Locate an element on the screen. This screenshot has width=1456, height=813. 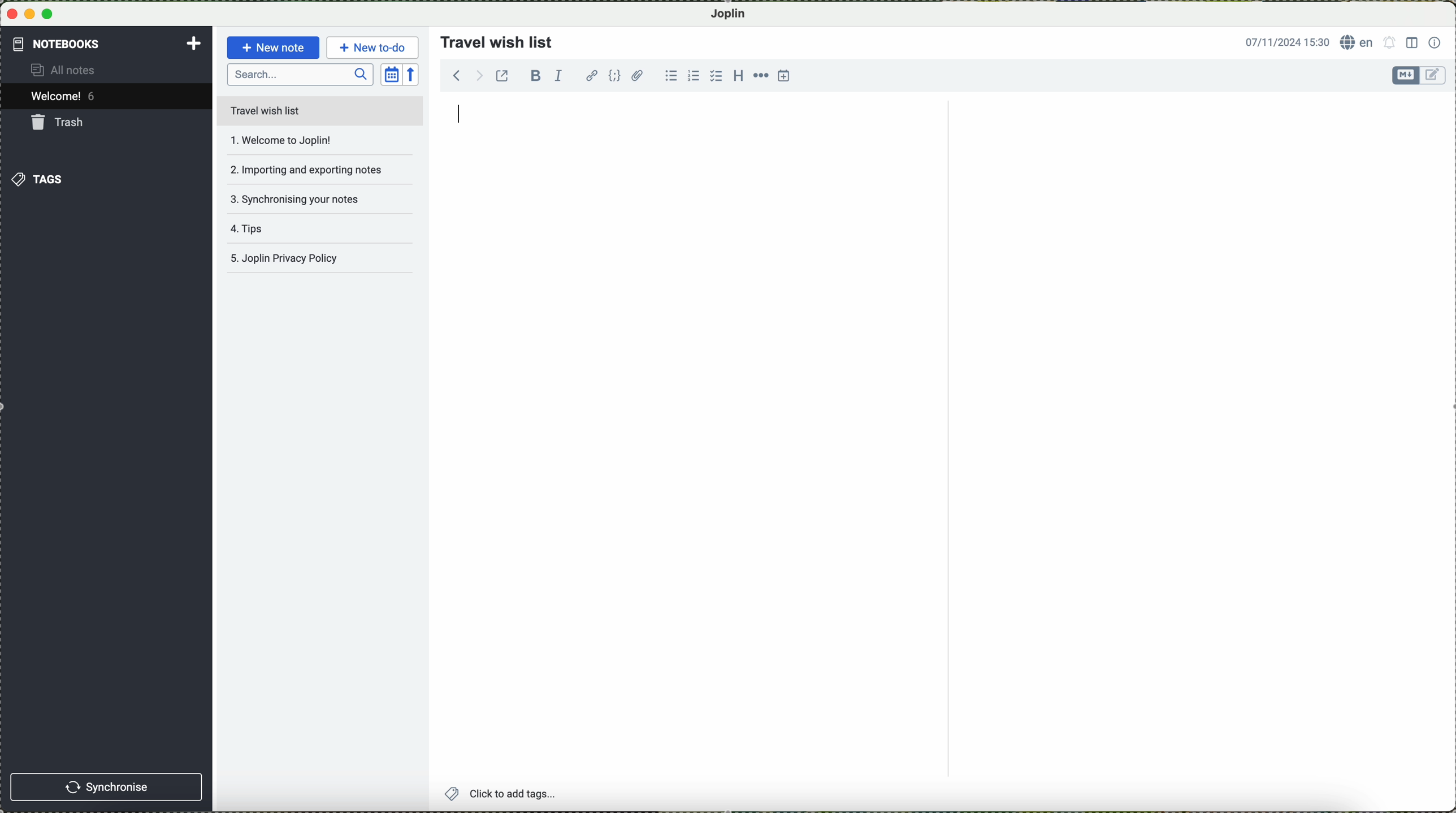
all notes is located at coordinates (73, 71).